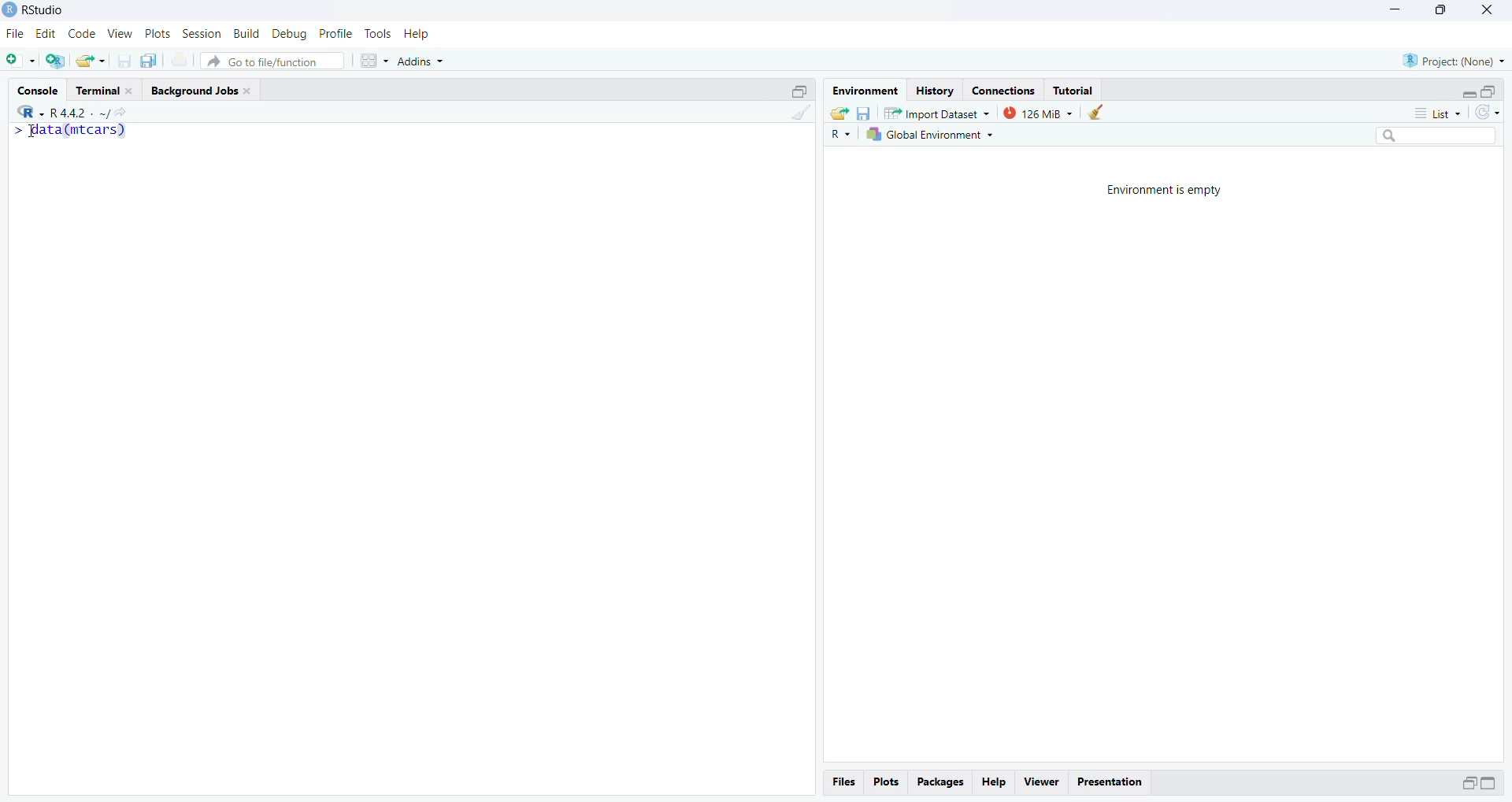  Describe the element at coordinates (1109, 782) in the screenshot. I see `Presentation` at that location.